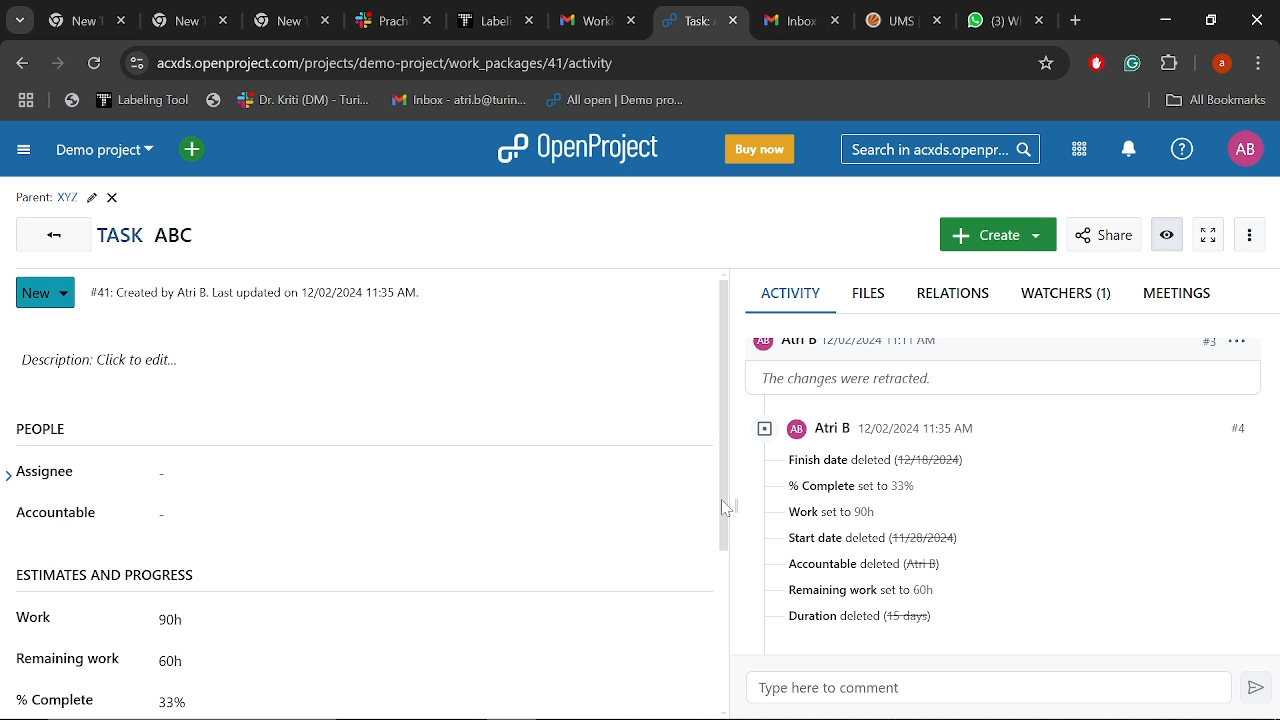 The width and height of the screenshot is (1280, 720). Describe the element at coordinates (1243, 345) in the screenshot. I see `options` at that location.